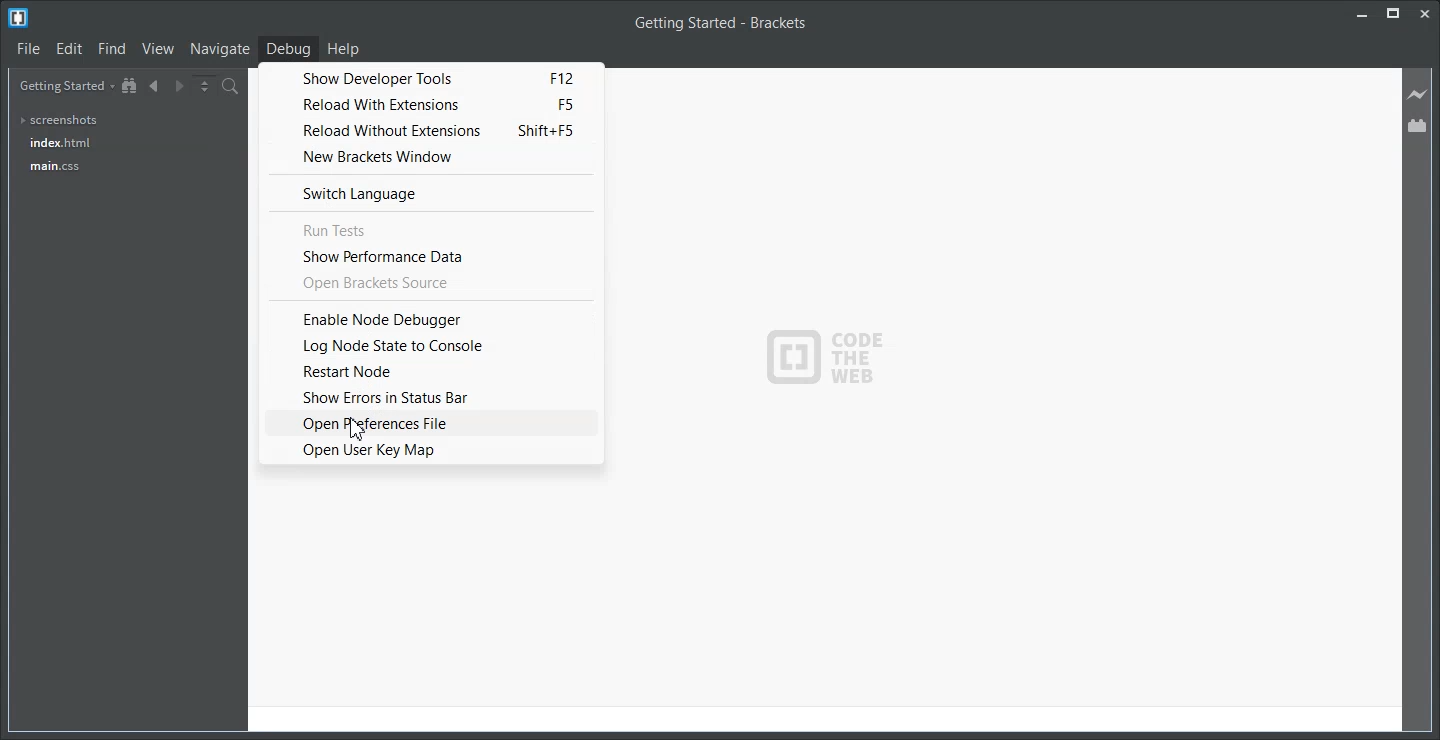  What do you see at coordinates (720, 23) in the screenshot?
I see `Getting Started - Brackets` at bounding box center [720, 23].